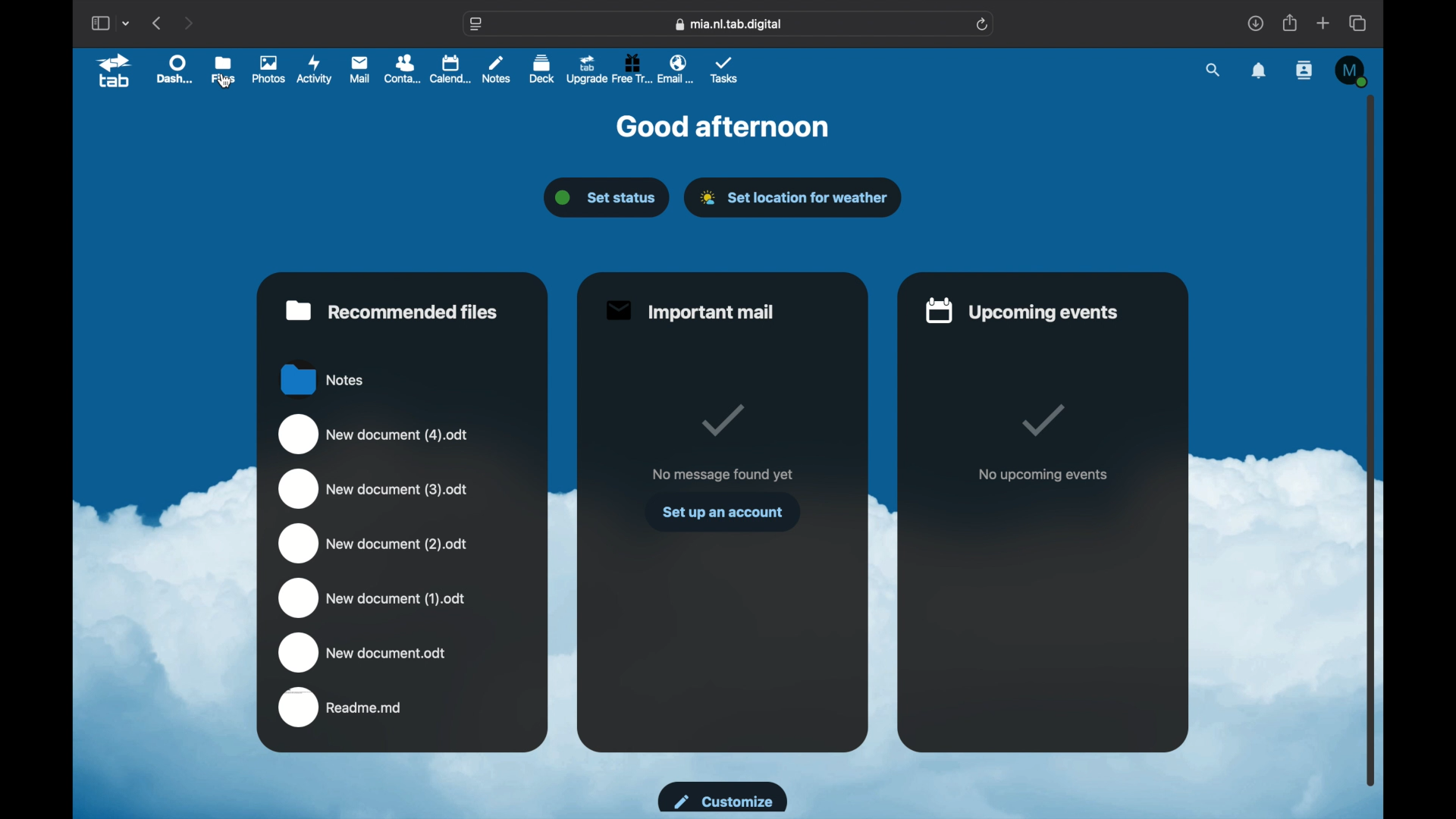 Image resolution: width=1456 pixels, height=819 pixels. I want to click on important mail, so click(689, 311).